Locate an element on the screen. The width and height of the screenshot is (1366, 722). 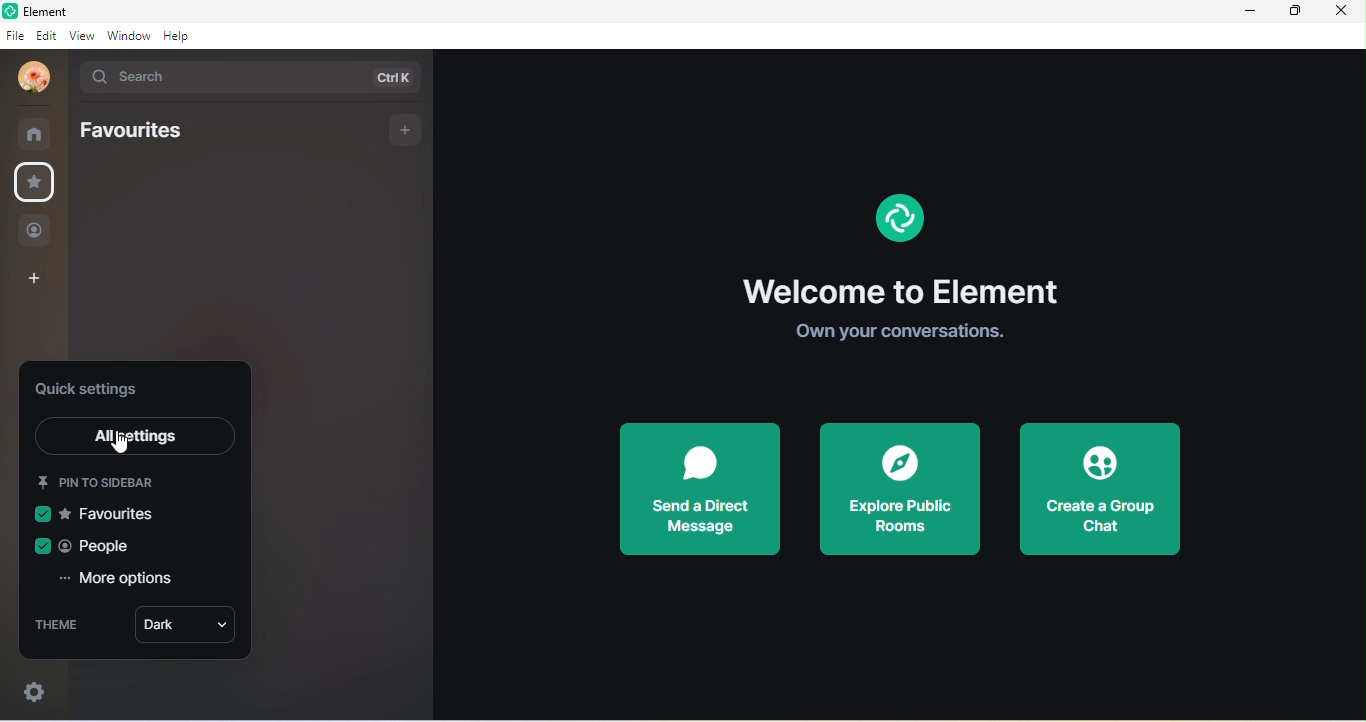
view is located at coordinates (83, 35).